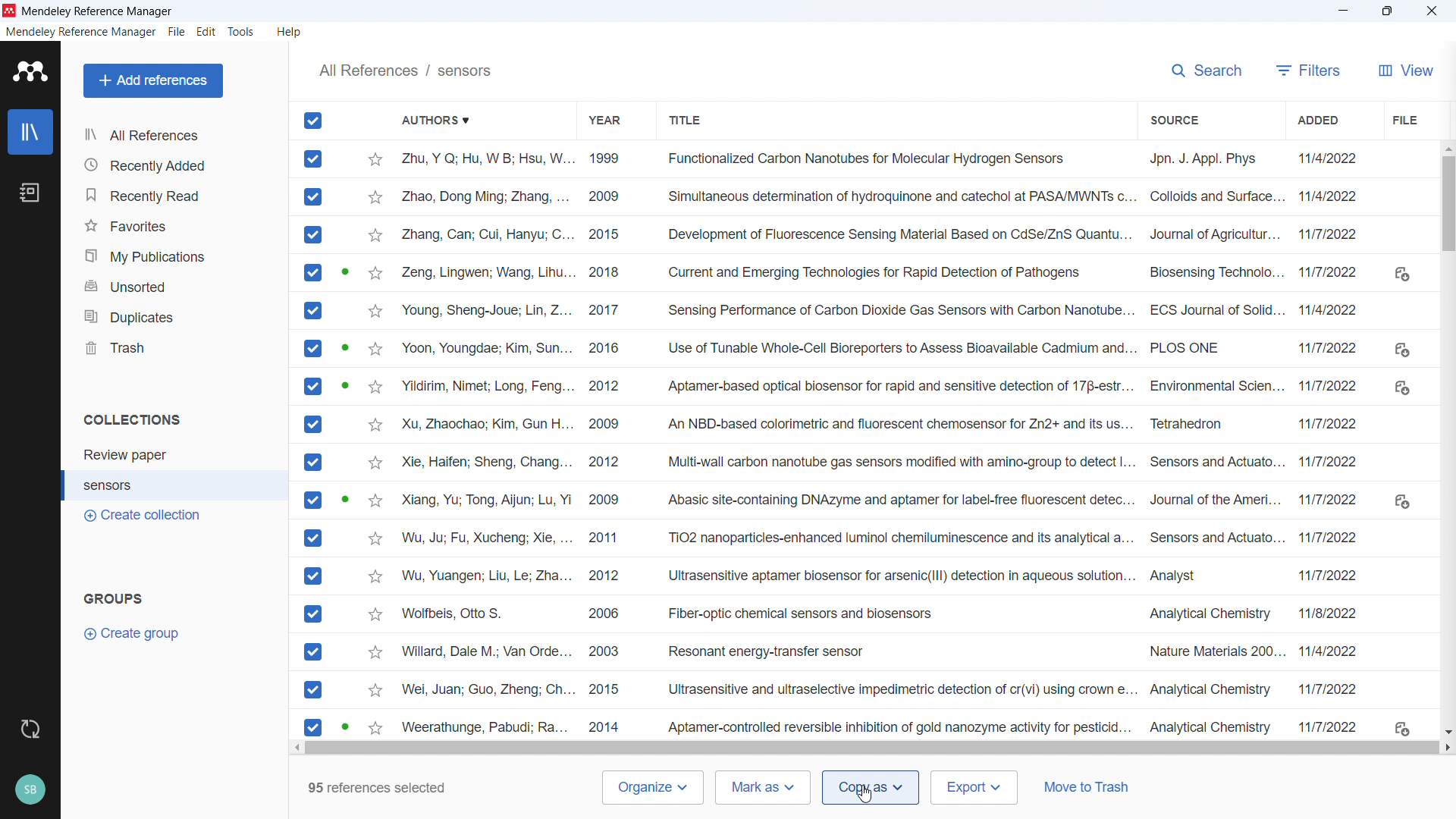  I want to click on PDF available, so click(344, 347).